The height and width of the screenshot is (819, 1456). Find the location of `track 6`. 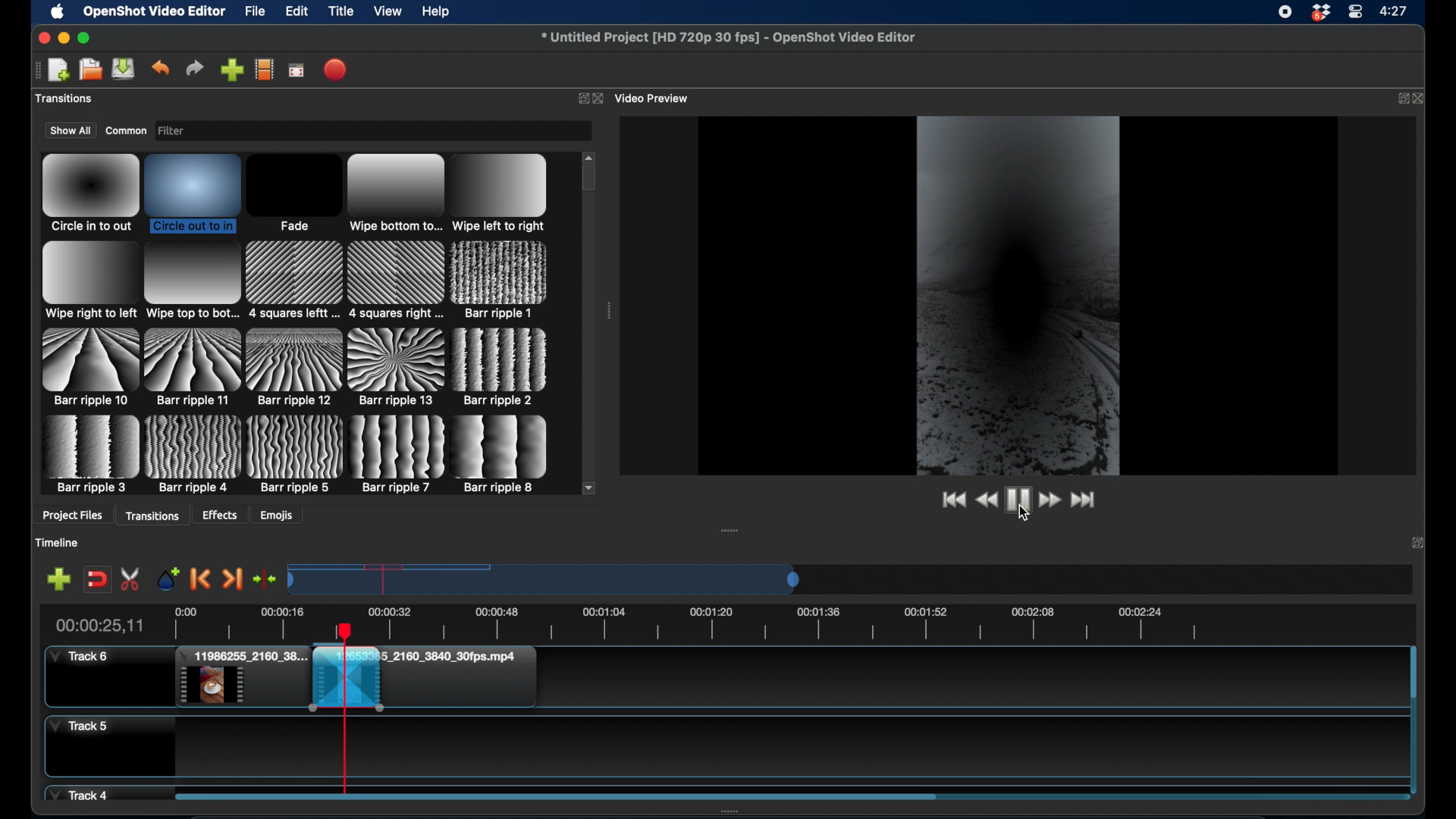

track 6 is located at coordinates (80, 657).